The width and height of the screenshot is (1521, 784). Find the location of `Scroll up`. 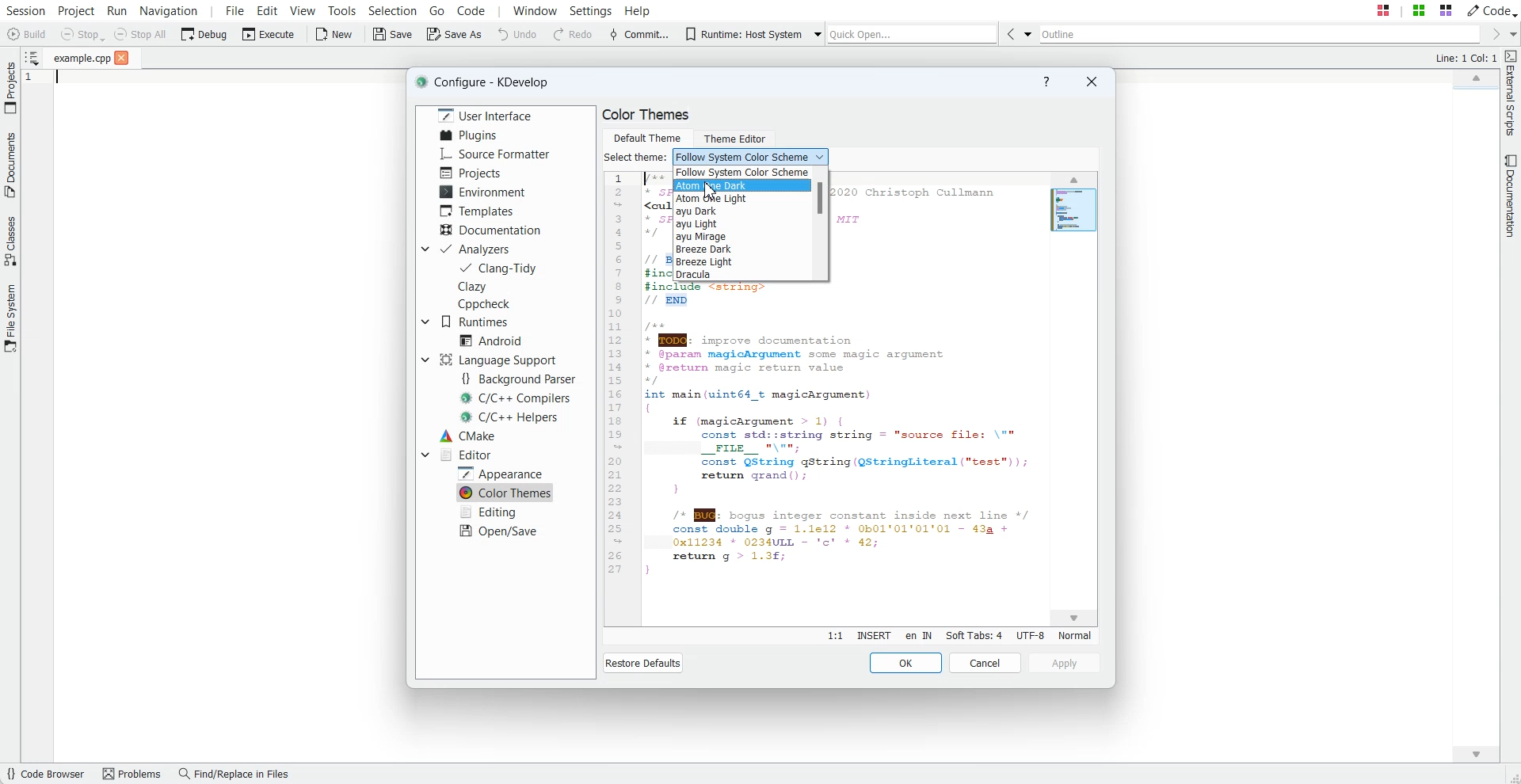

Scroll up is located at coordinates (1475, 76).